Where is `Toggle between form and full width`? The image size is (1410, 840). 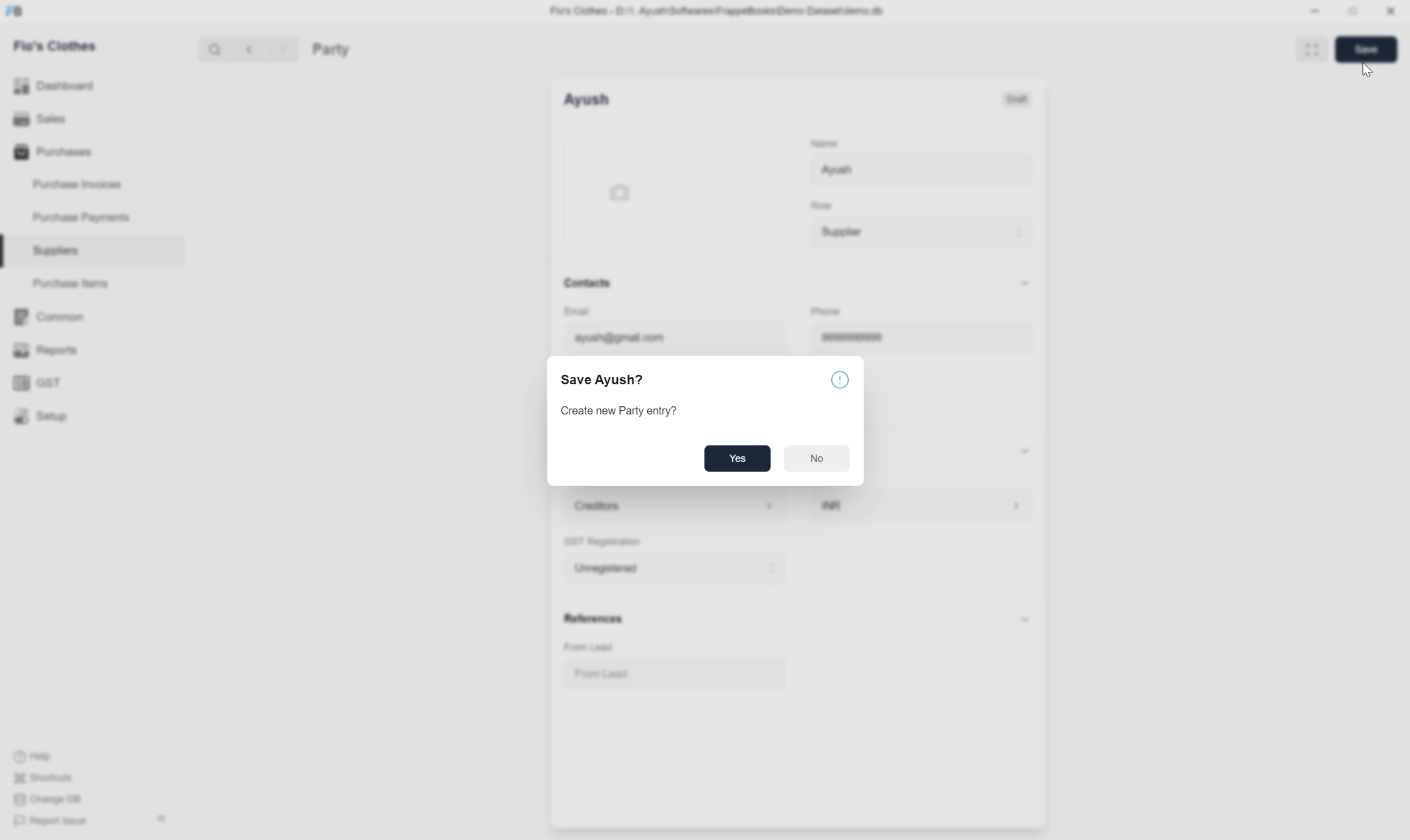 Toggle between form and full width is located at coordinates (1311, 49).